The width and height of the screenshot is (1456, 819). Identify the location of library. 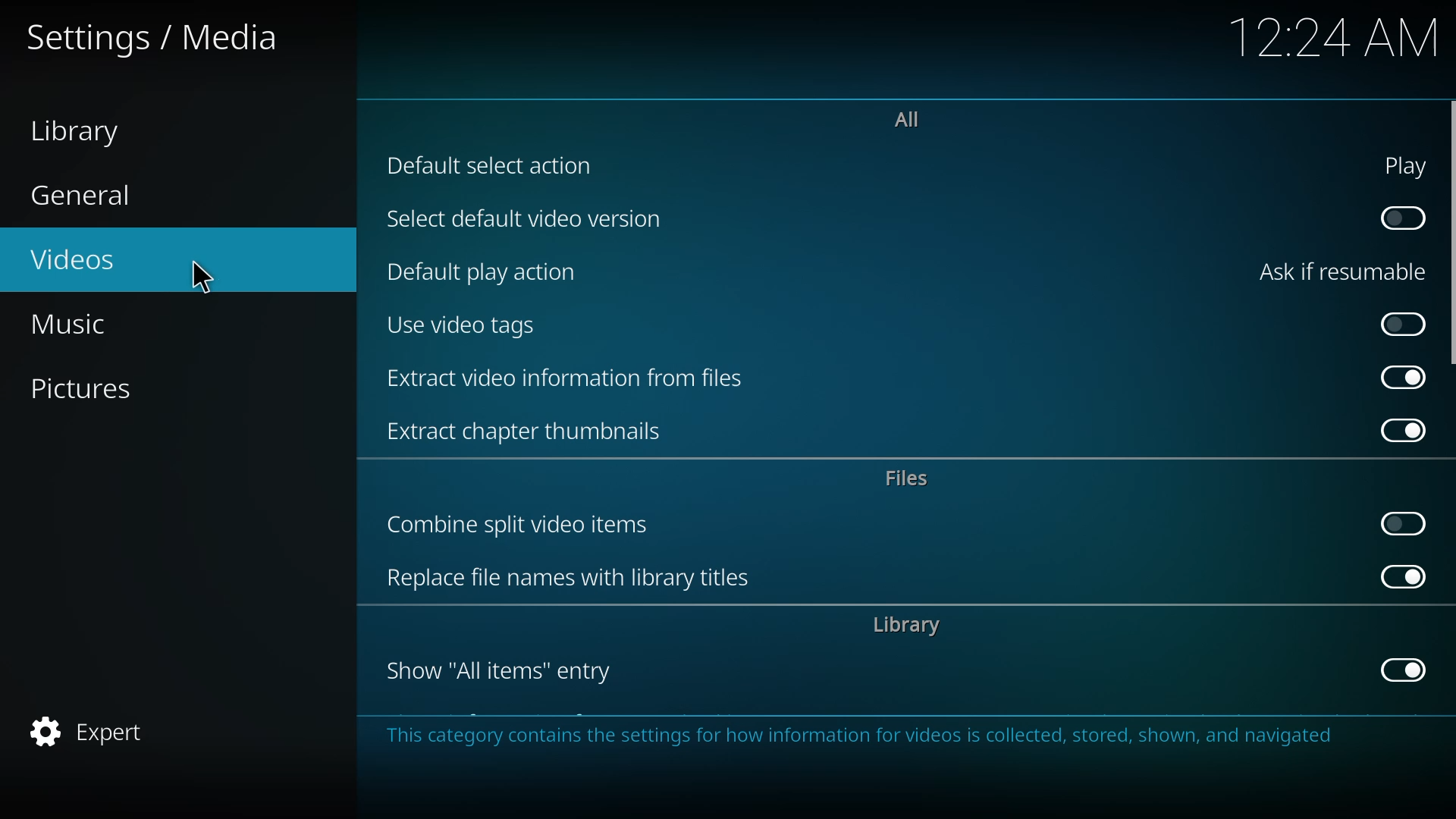
(913, 627).